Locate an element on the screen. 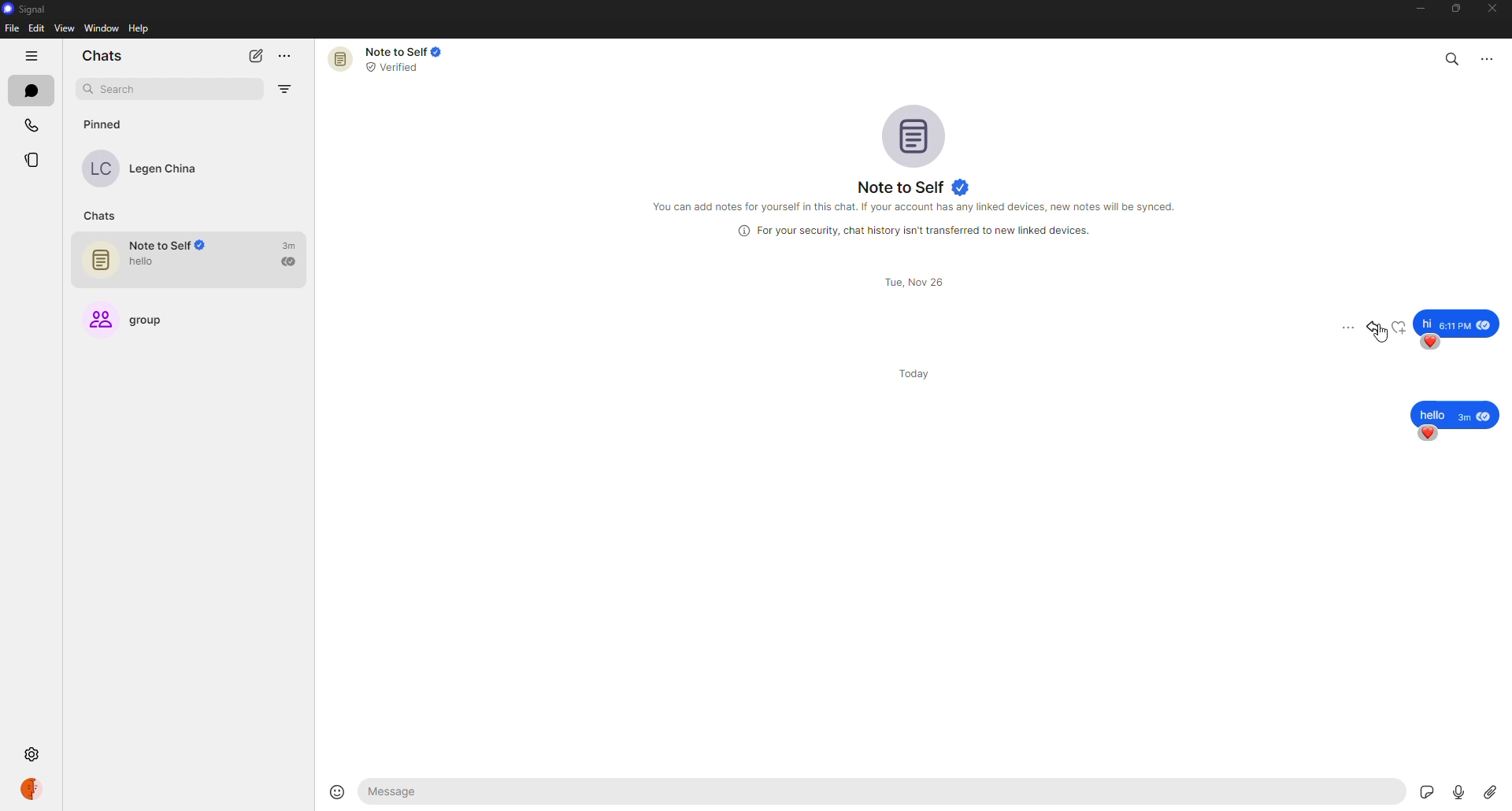  file is located at coordinates (13, 28).